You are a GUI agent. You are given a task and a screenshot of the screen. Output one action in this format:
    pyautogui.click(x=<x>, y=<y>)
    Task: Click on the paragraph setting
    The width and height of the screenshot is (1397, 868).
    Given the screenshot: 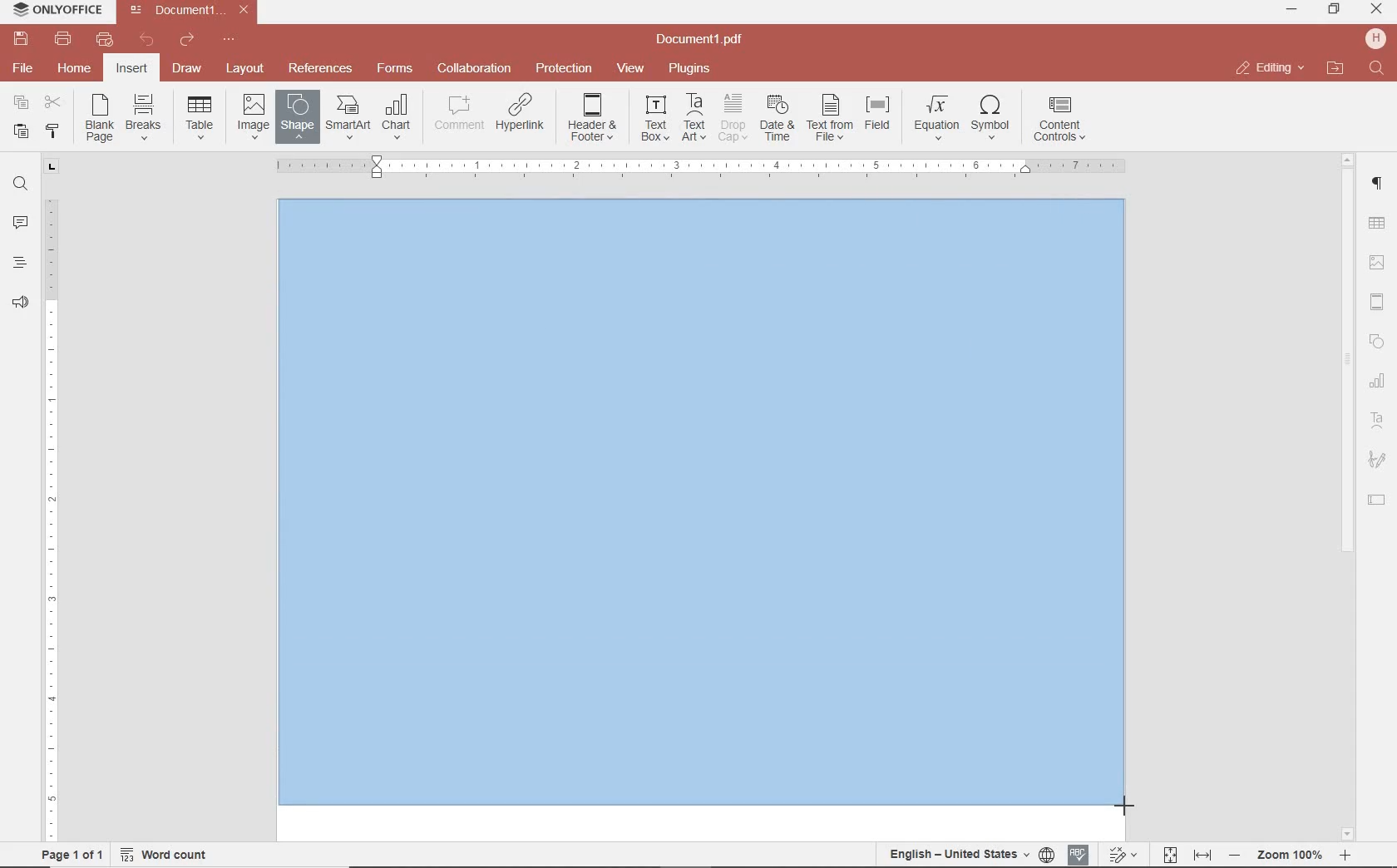 What is the action you would take?
    pyautogui.click(x=1378, y=181)
    